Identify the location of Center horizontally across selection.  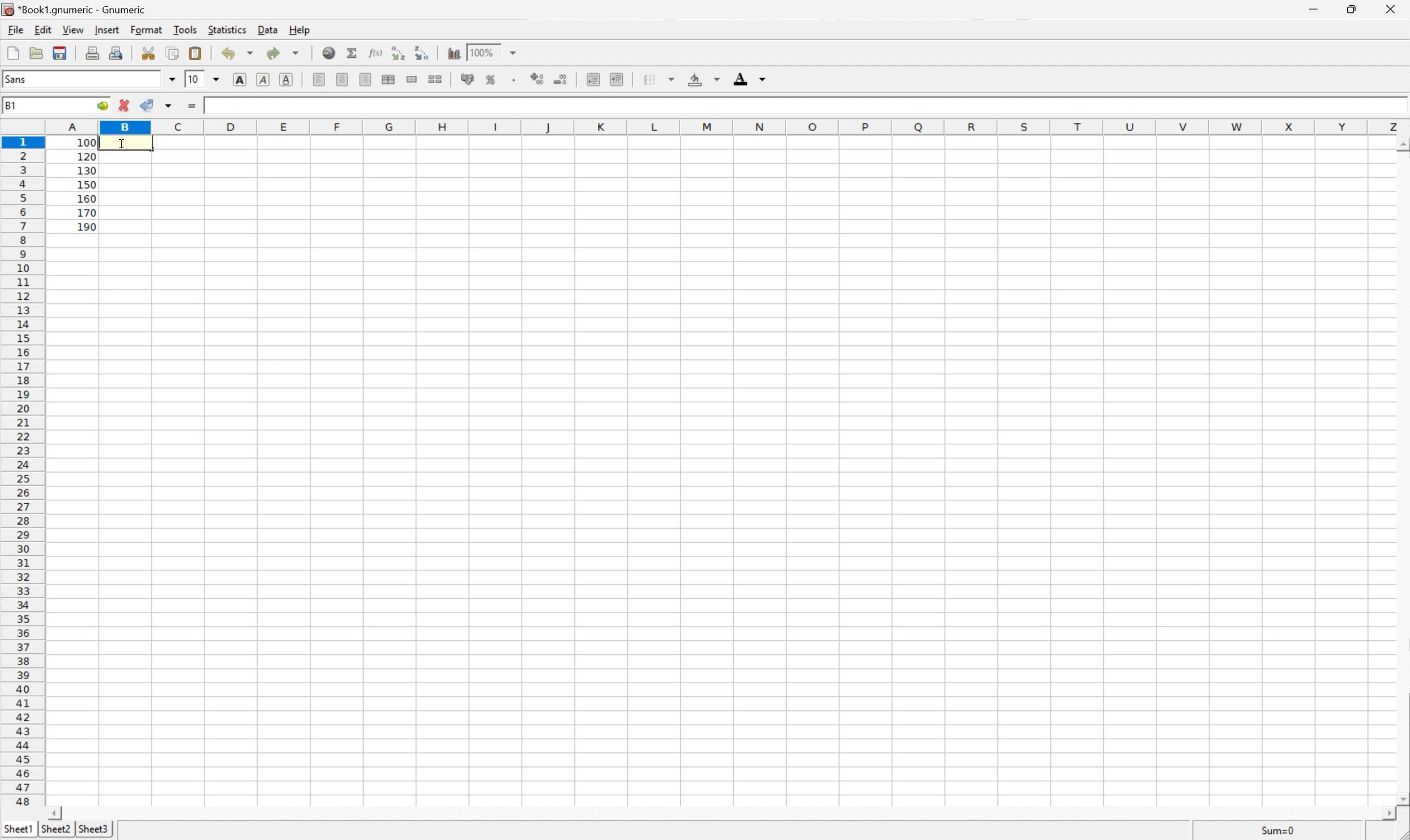
(388, 79).